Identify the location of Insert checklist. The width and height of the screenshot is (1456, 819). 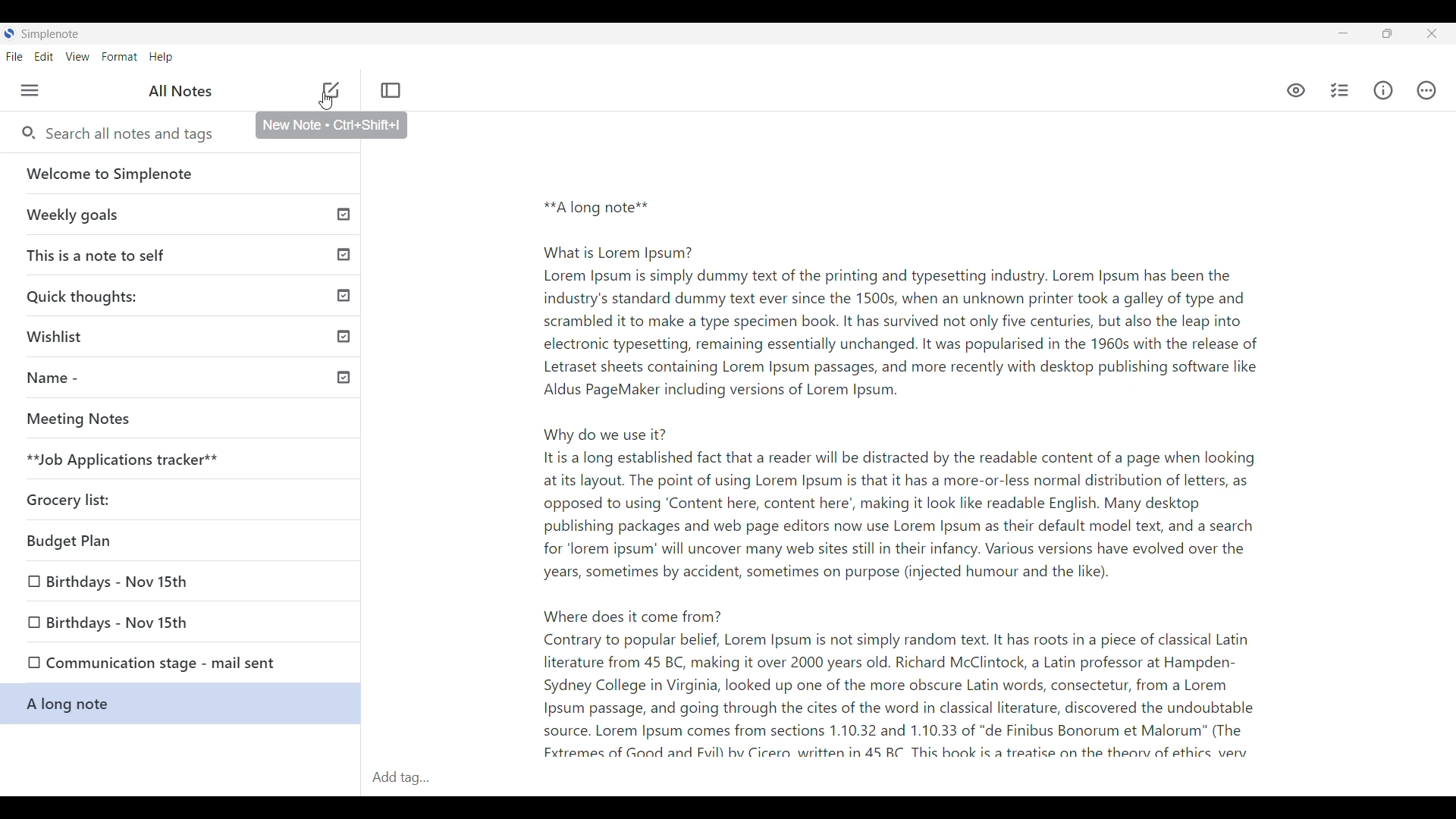
(1341, 90).